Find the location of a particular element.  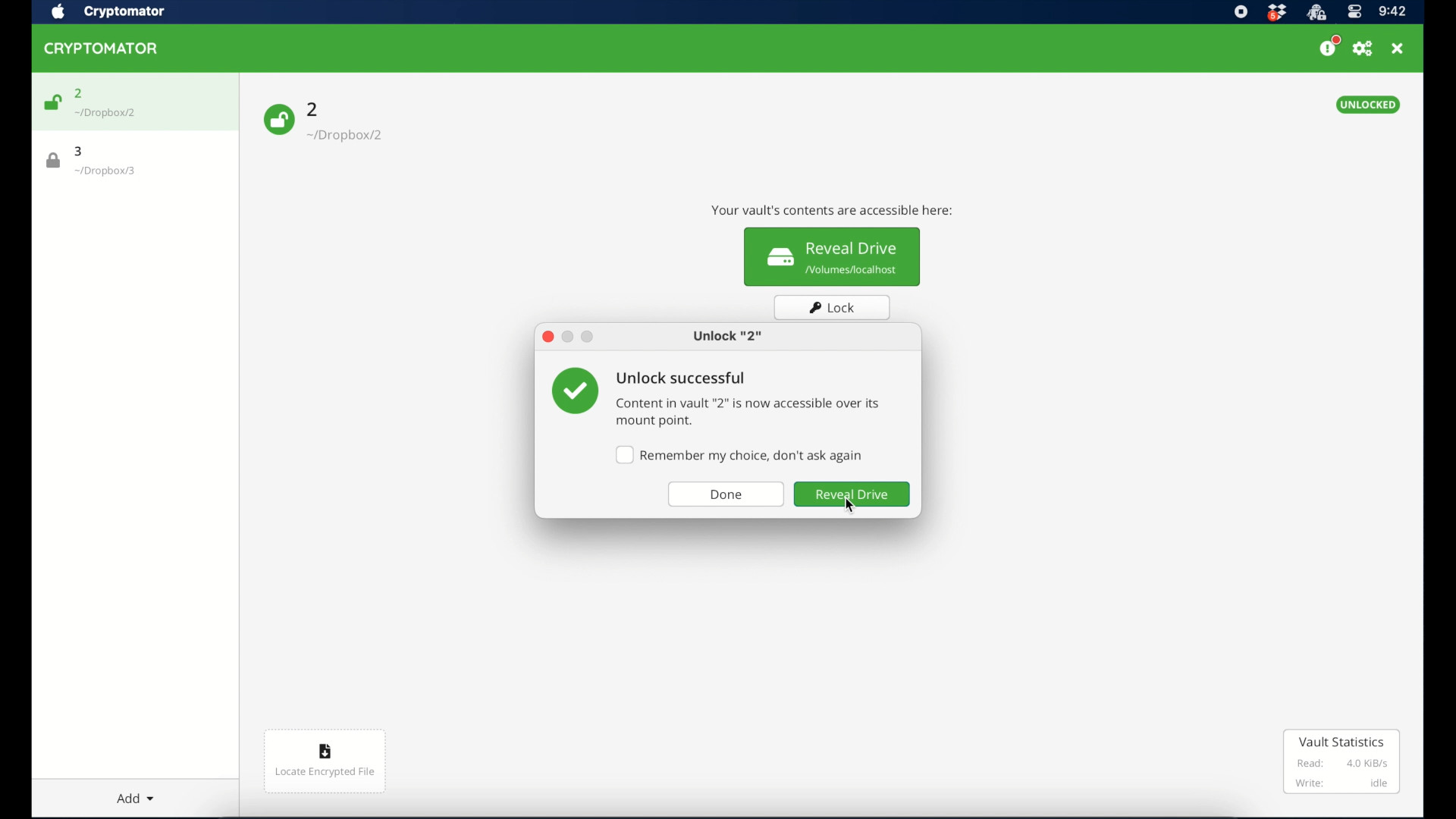

unlock 2 is located at coordinates (730, 335).